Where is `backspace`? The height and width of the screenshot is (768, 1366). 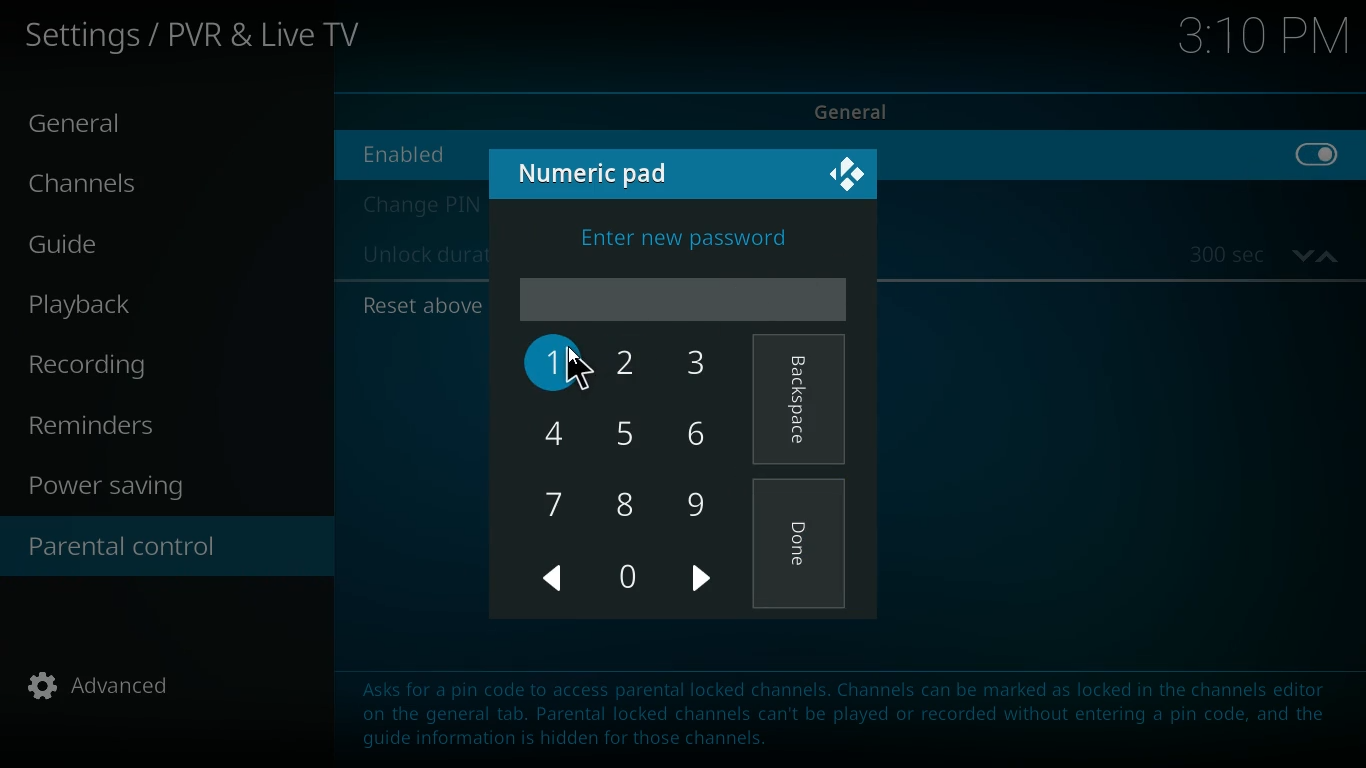
backspace is located at coordinates (801, 402).